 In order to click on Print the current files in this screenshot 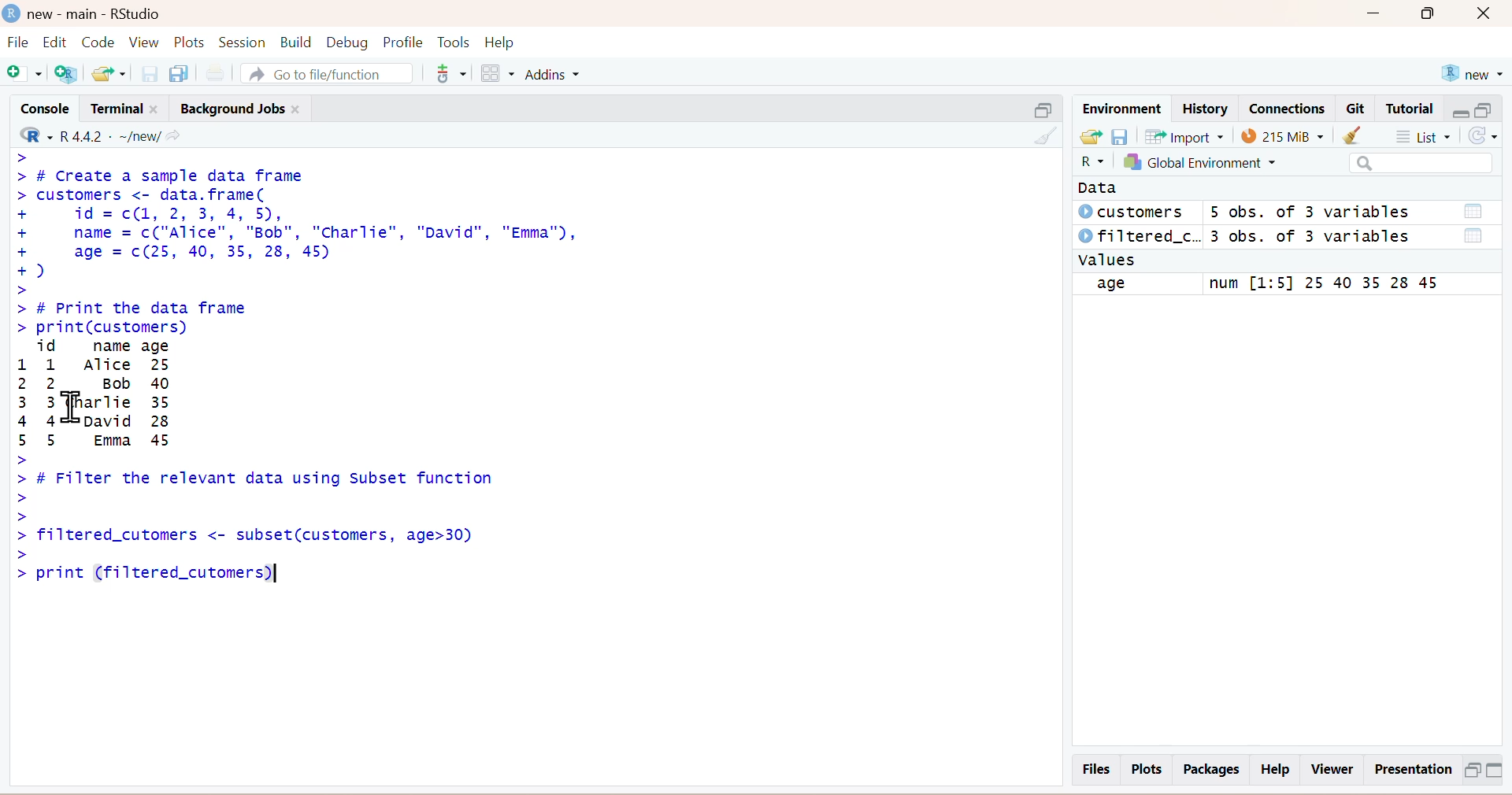, I will do `click(213, 72)`.